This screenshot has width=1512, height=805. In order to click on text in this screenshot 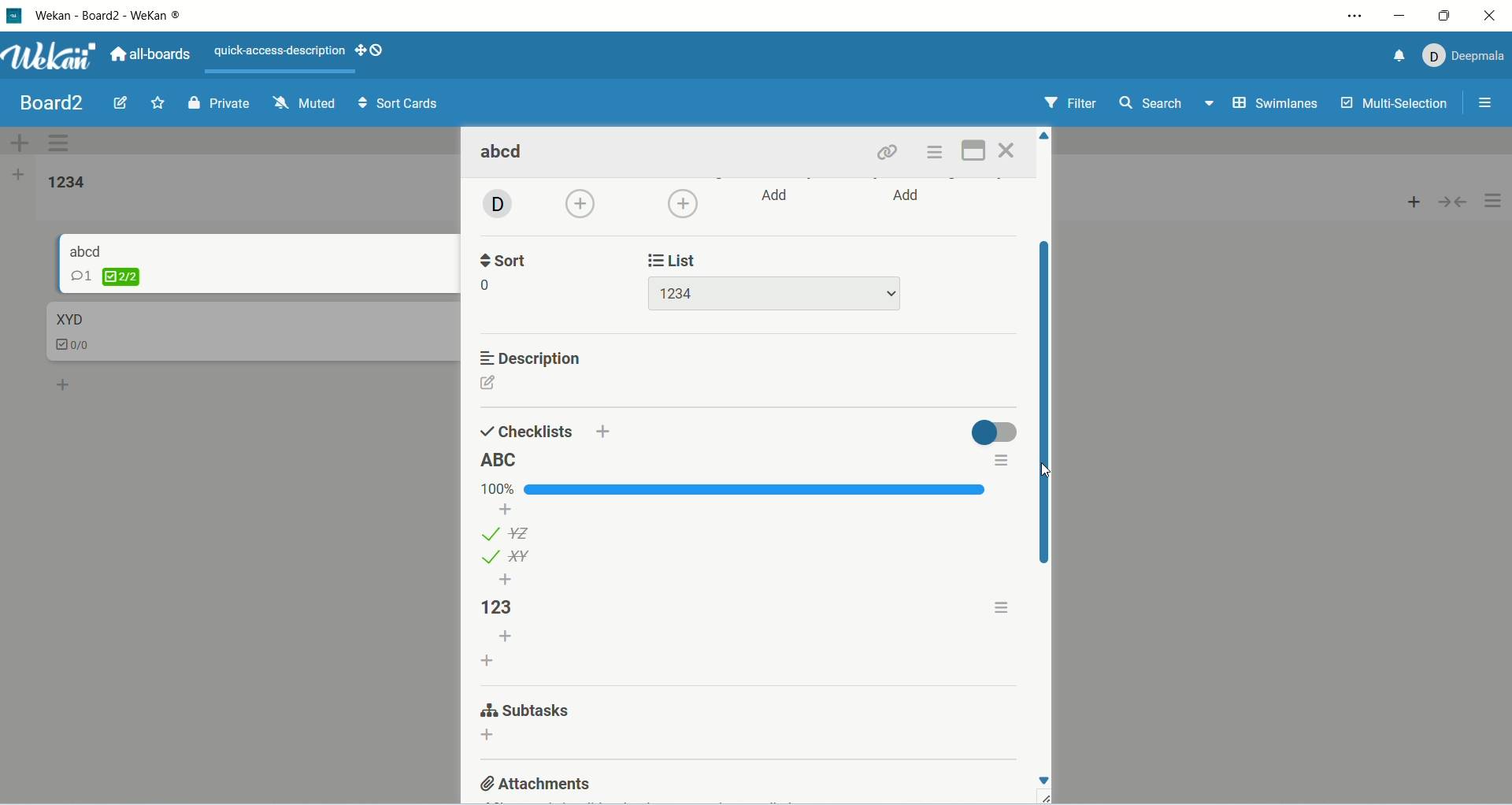, I will do `click(280, 51)`.